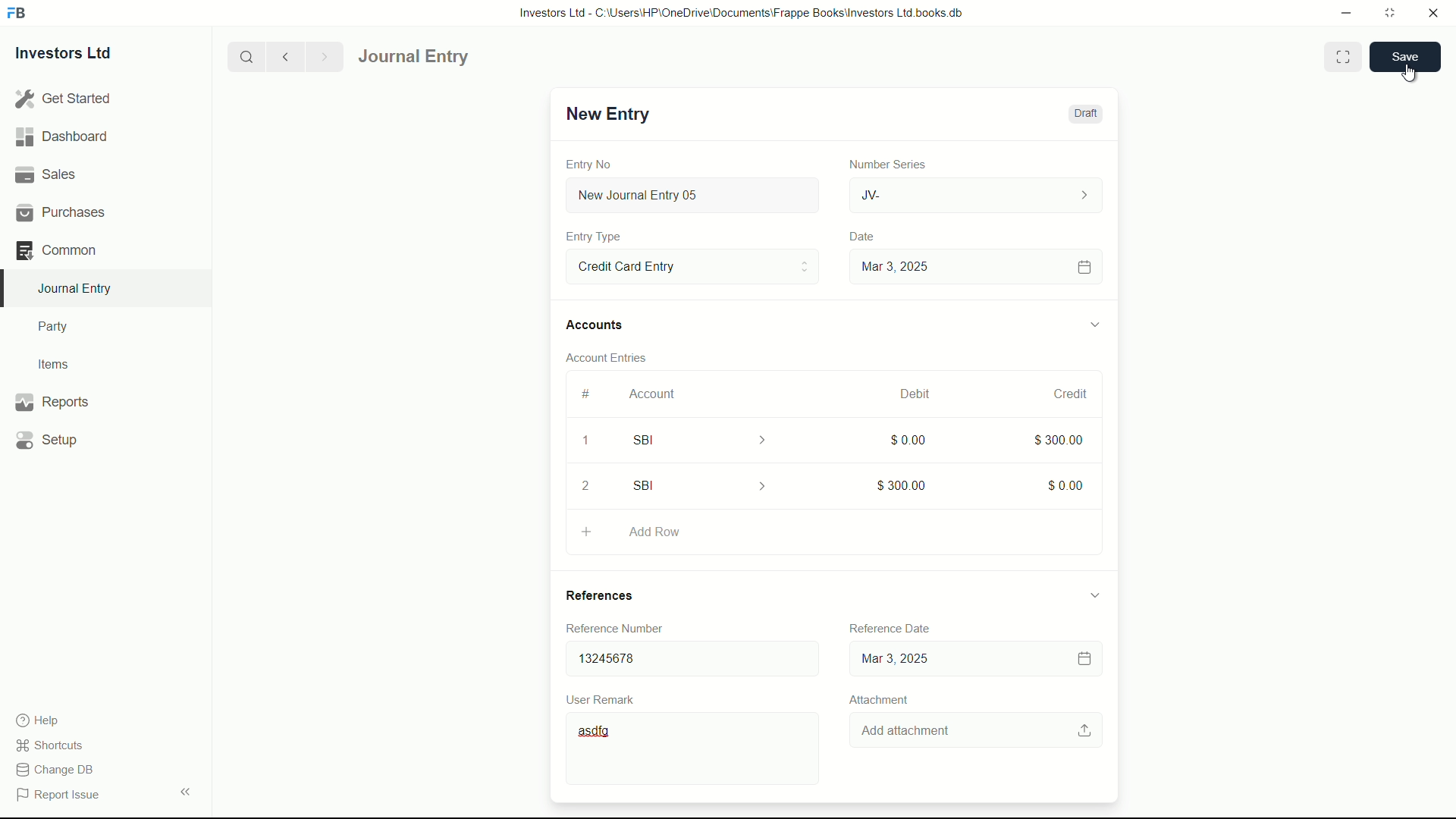 The image size is (1456, 819). What do you see at coordinates (1342, 11) in the screenshot?
I see `minimize` at bounding box center [1342, 11].